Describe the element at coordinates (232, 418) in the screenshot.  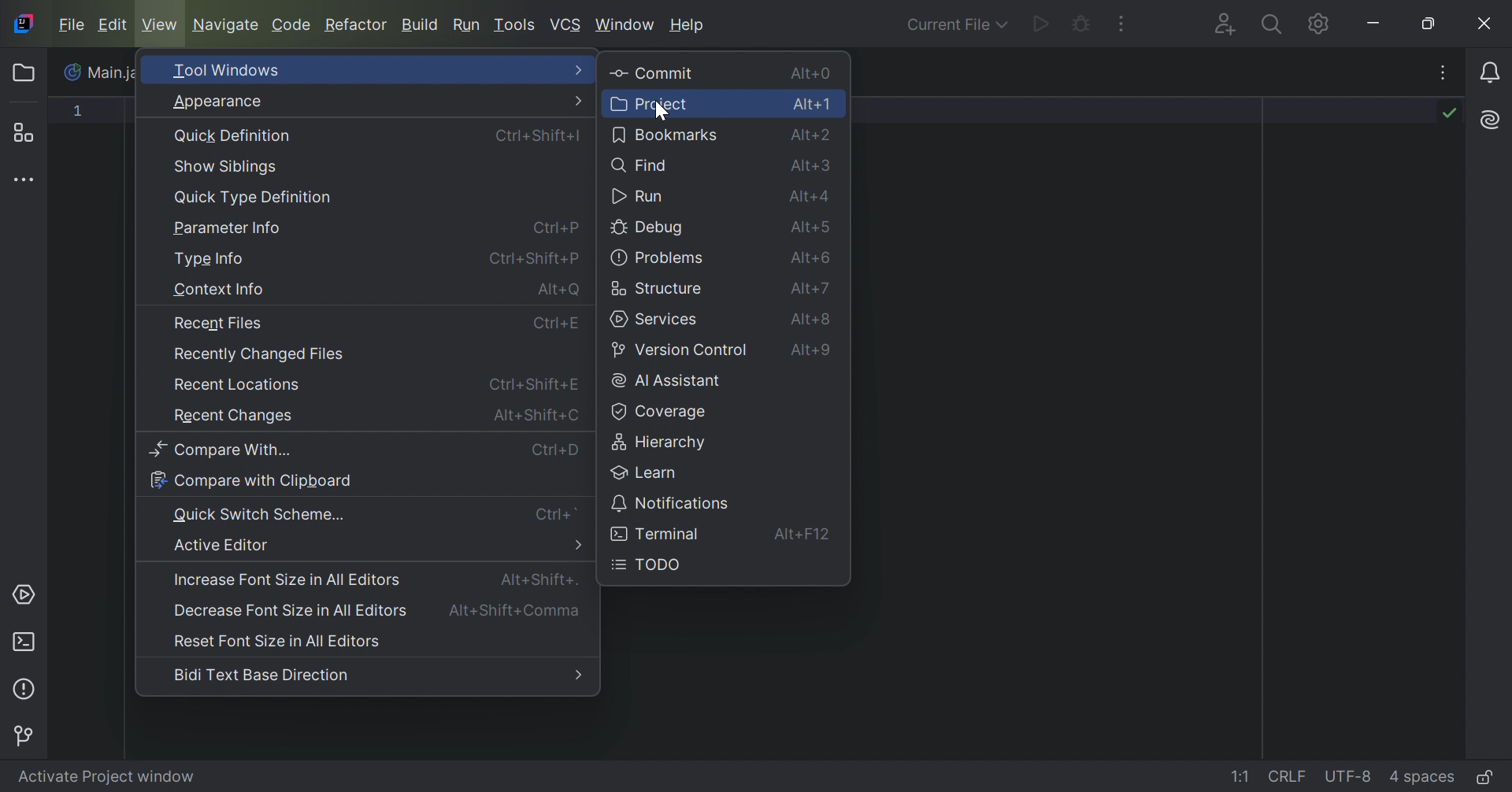
I see `Recent Changes` at that location.